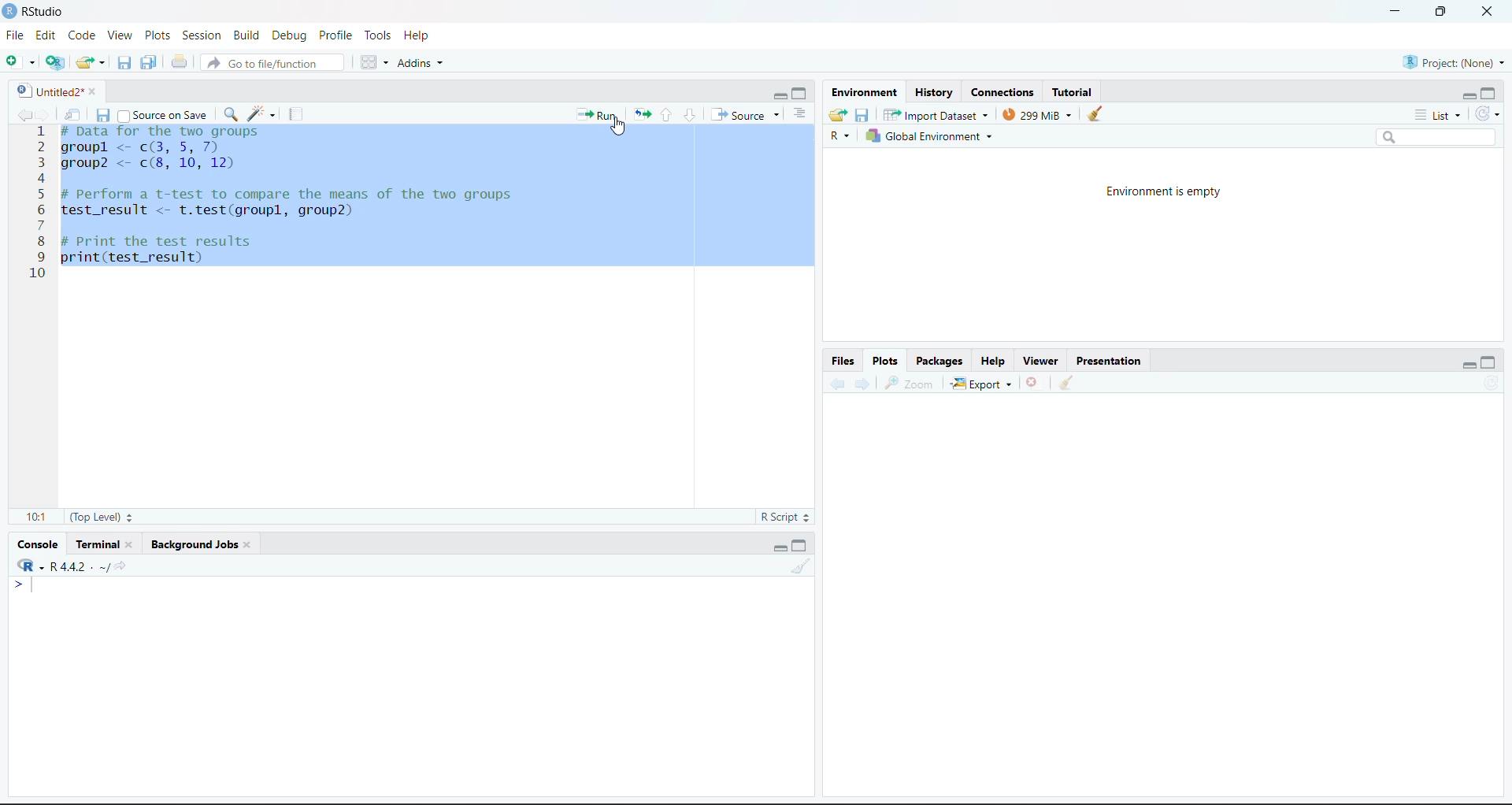 This screenshot has width=1512, height=805. I want to click on go to previous section/chunk, so click(665, 116).